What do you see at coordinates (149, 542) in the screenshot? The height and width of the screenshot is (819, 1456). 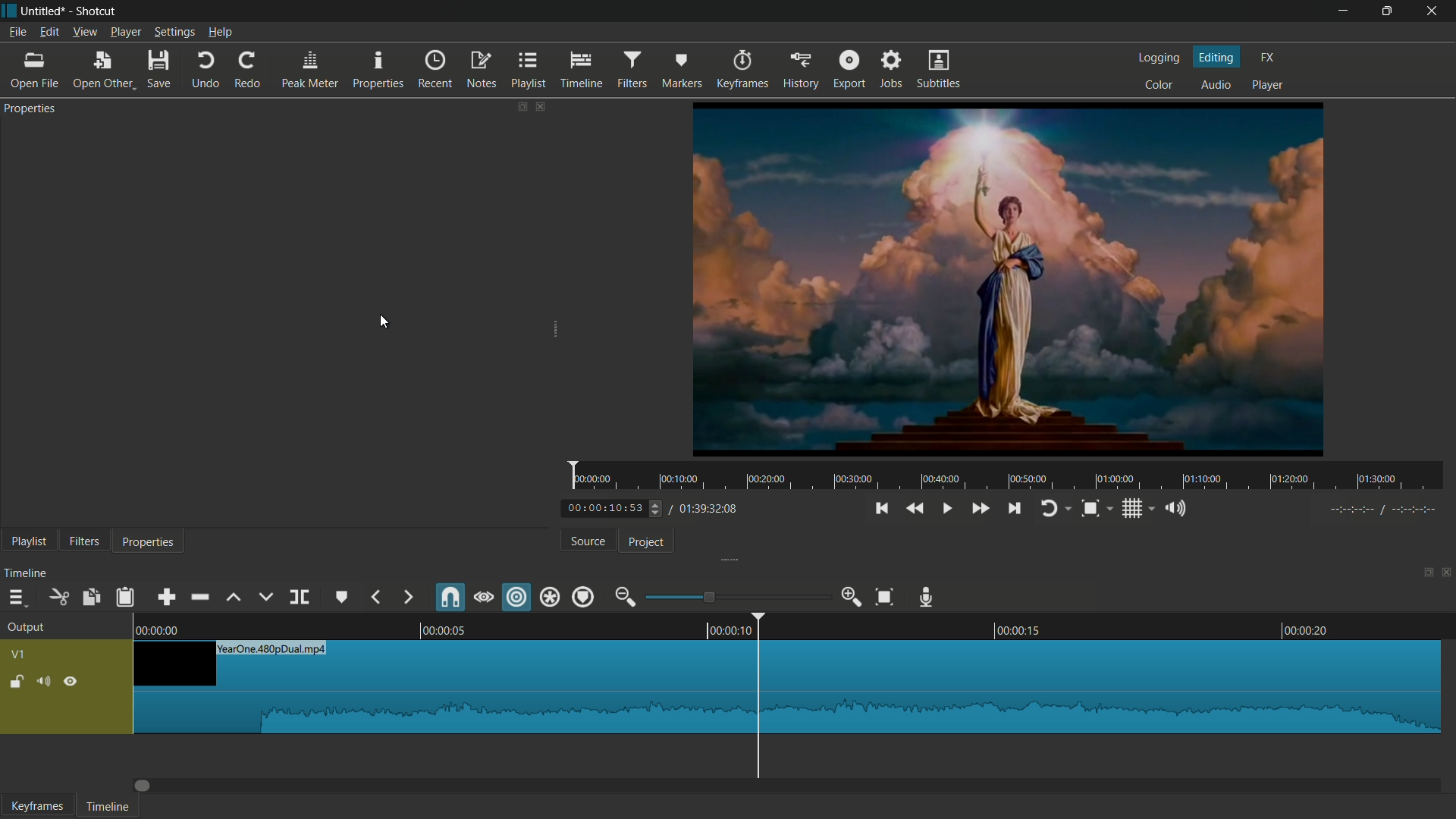 I see `properties` at bounding box center [149, 542].